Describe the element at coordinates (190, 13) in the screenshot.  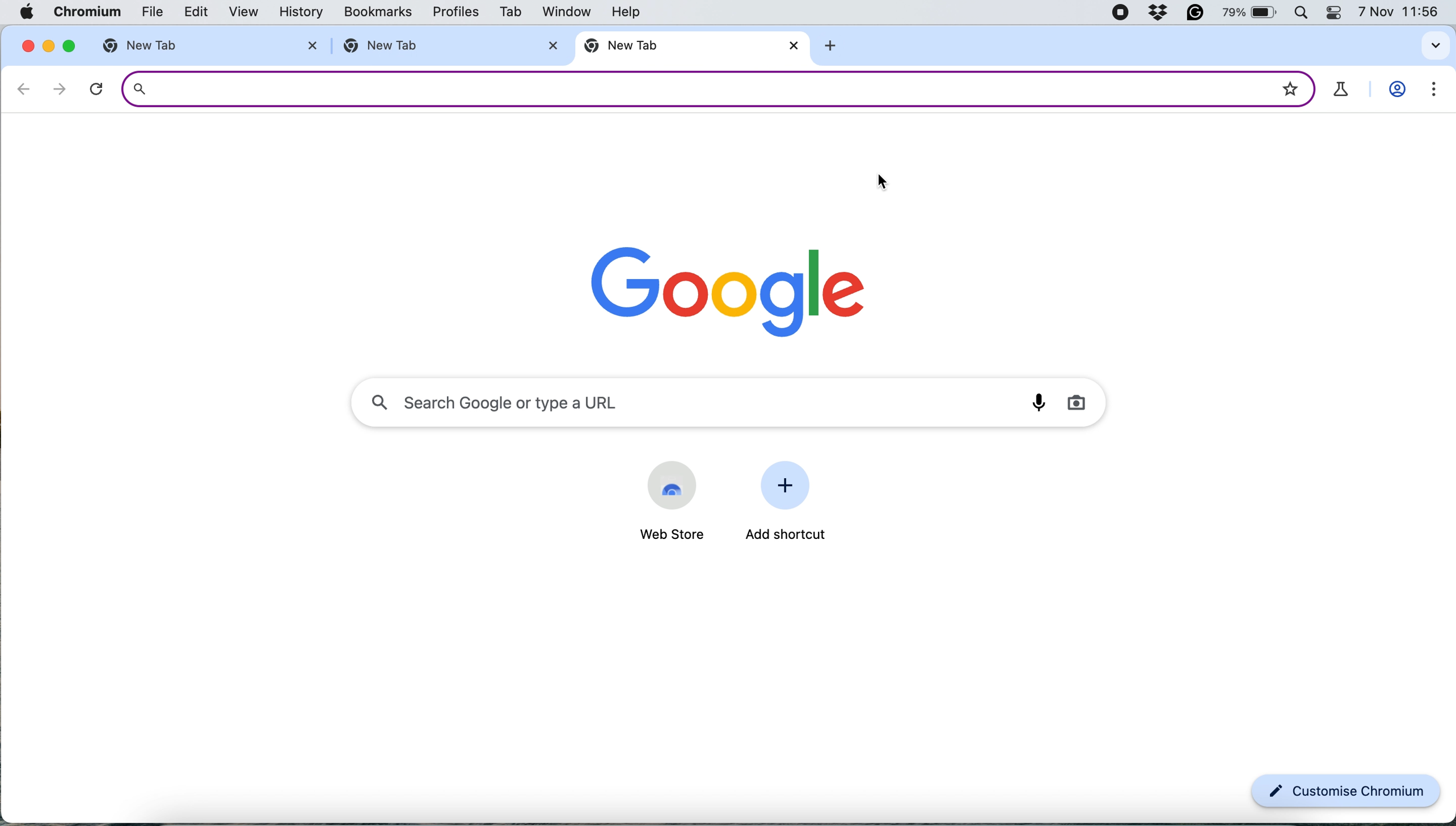
I see `edit` at that location.